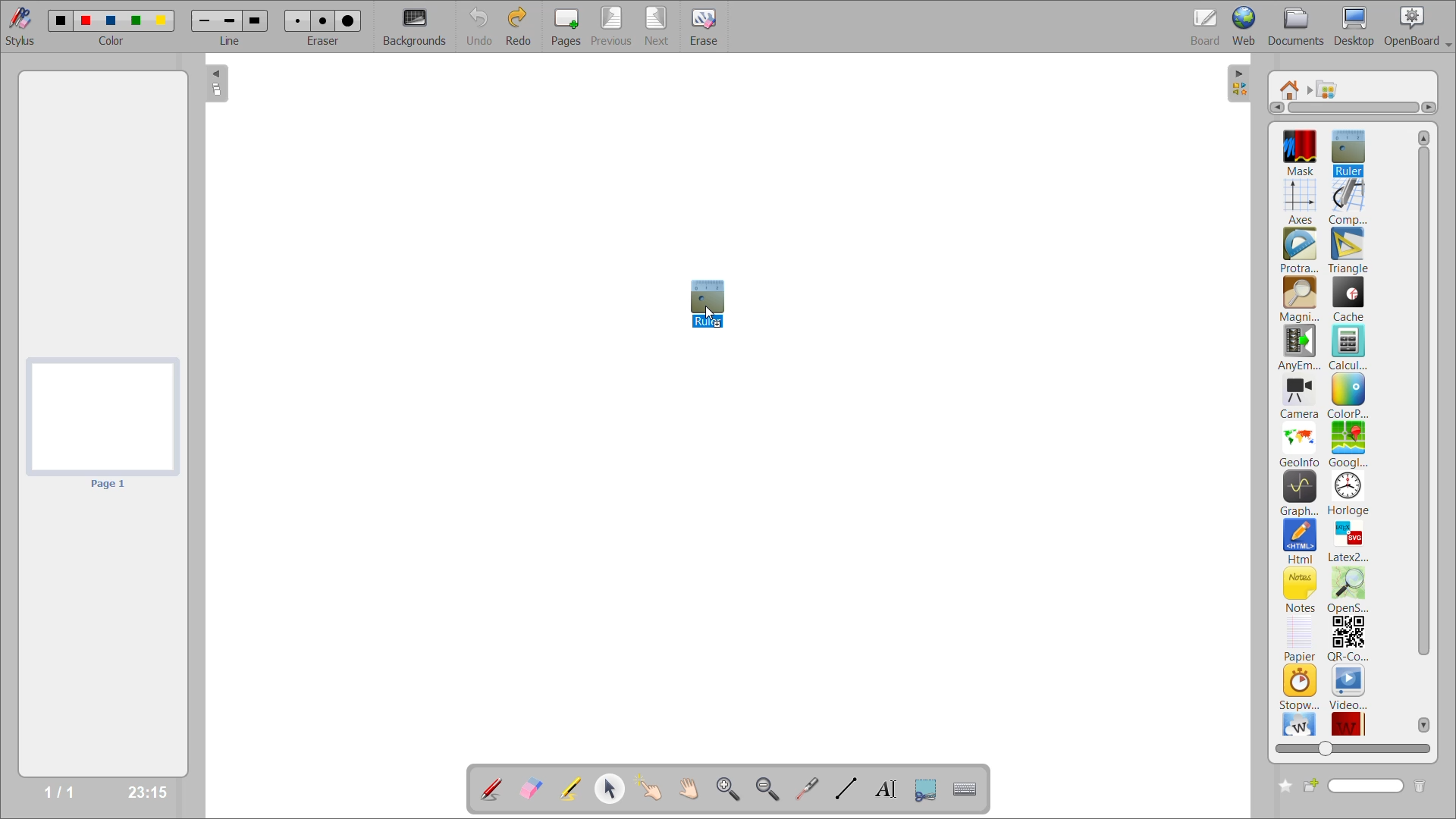 This screenshot has width=1456, height=819. What do you see at coordinates (110, 41) in the screenshot?
I see `color` at bounding box center [110, 41].